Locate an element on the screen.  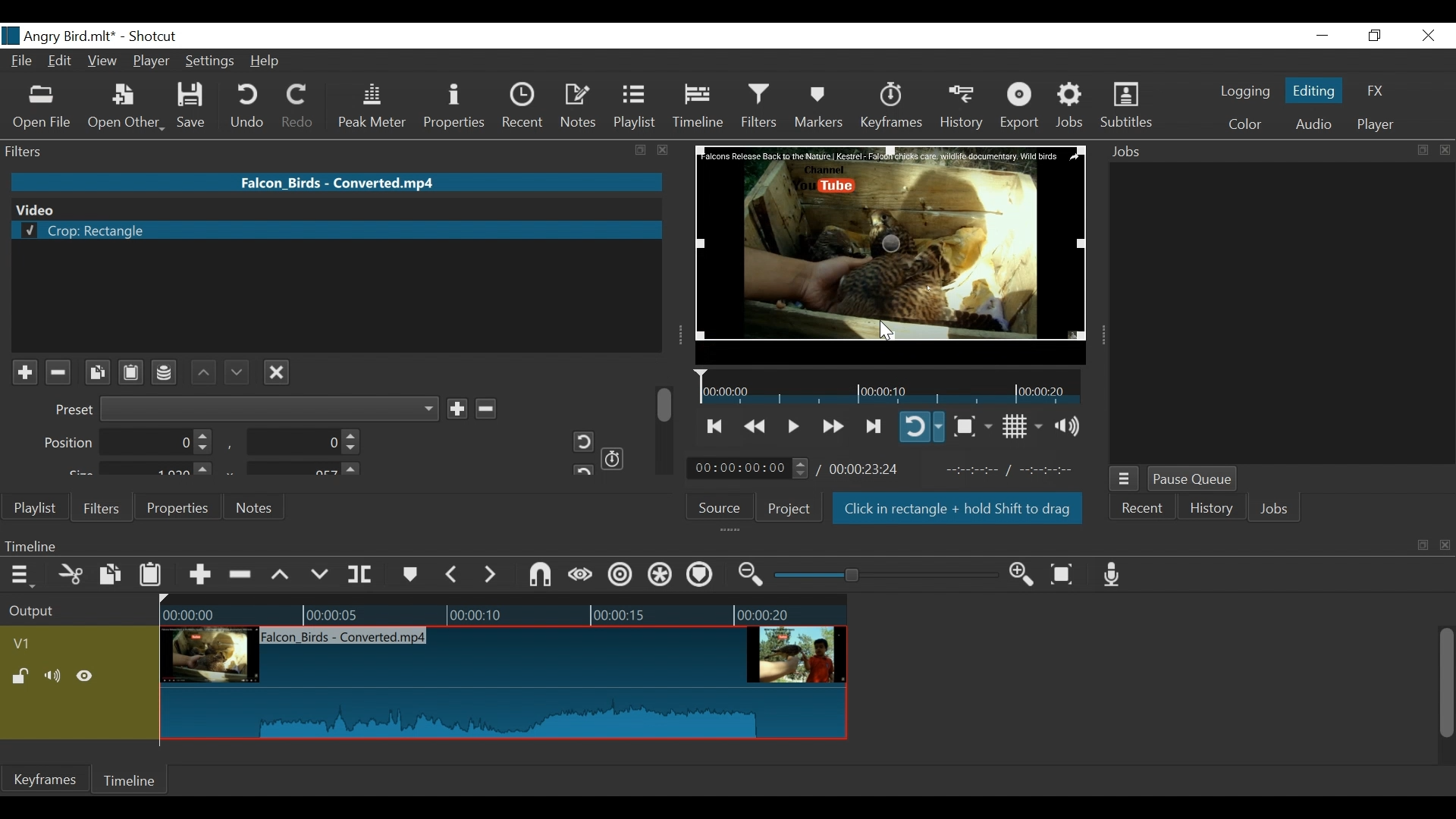
Save is located at coordinates (196, 106).